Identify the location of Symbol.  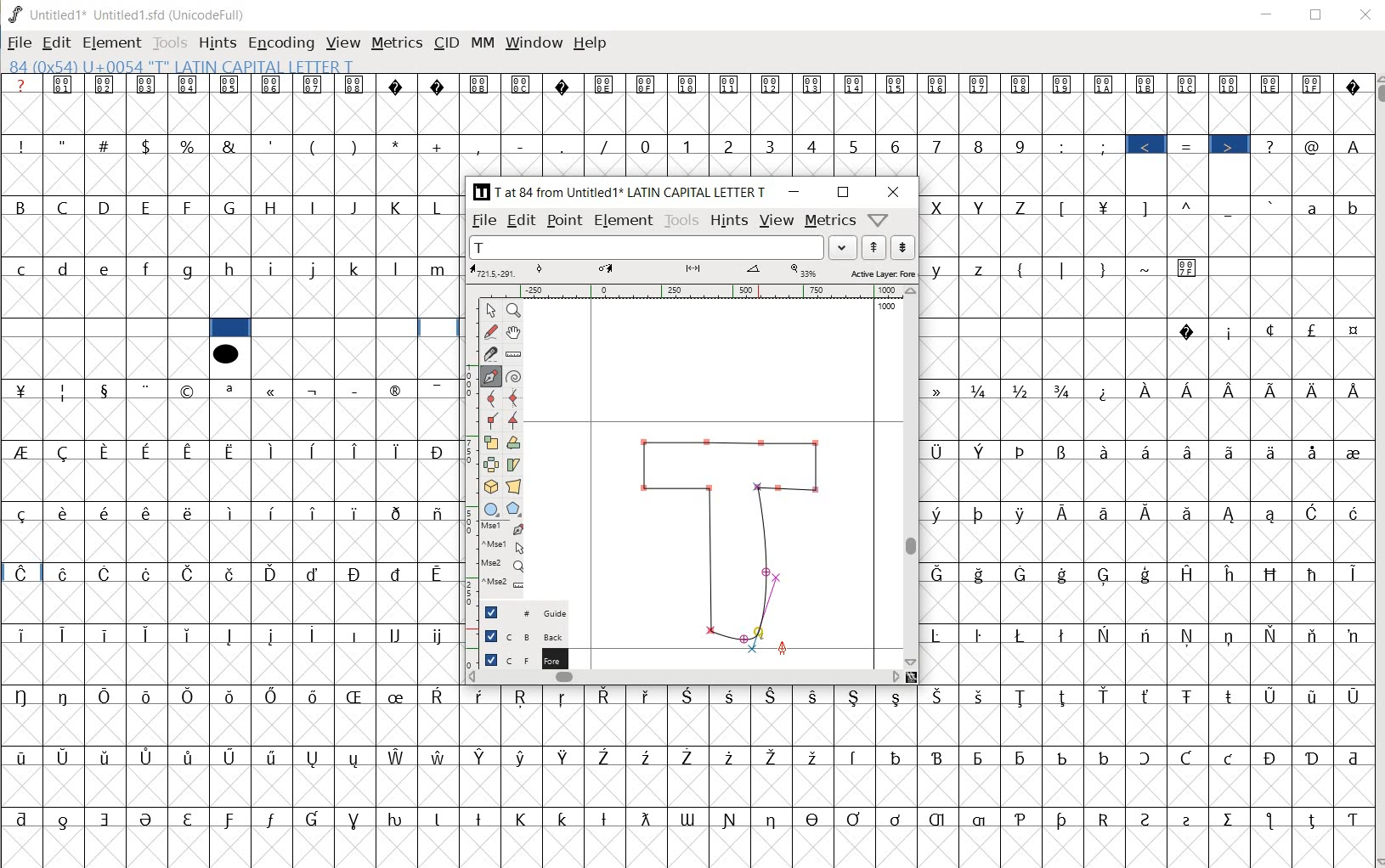
(441, 86).